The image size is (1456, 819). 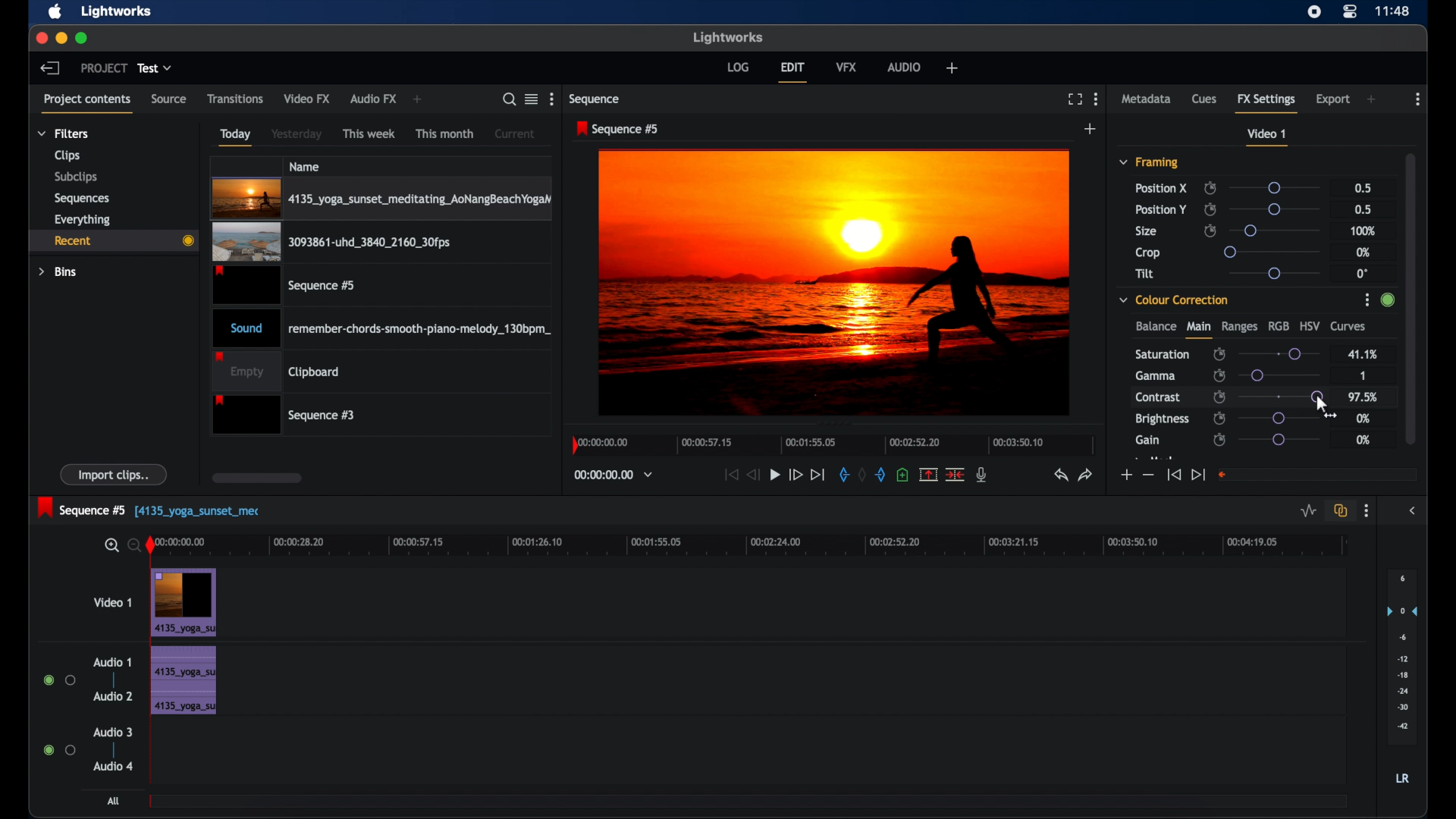 I want to click on saturation, so click(x=1163, y=353).